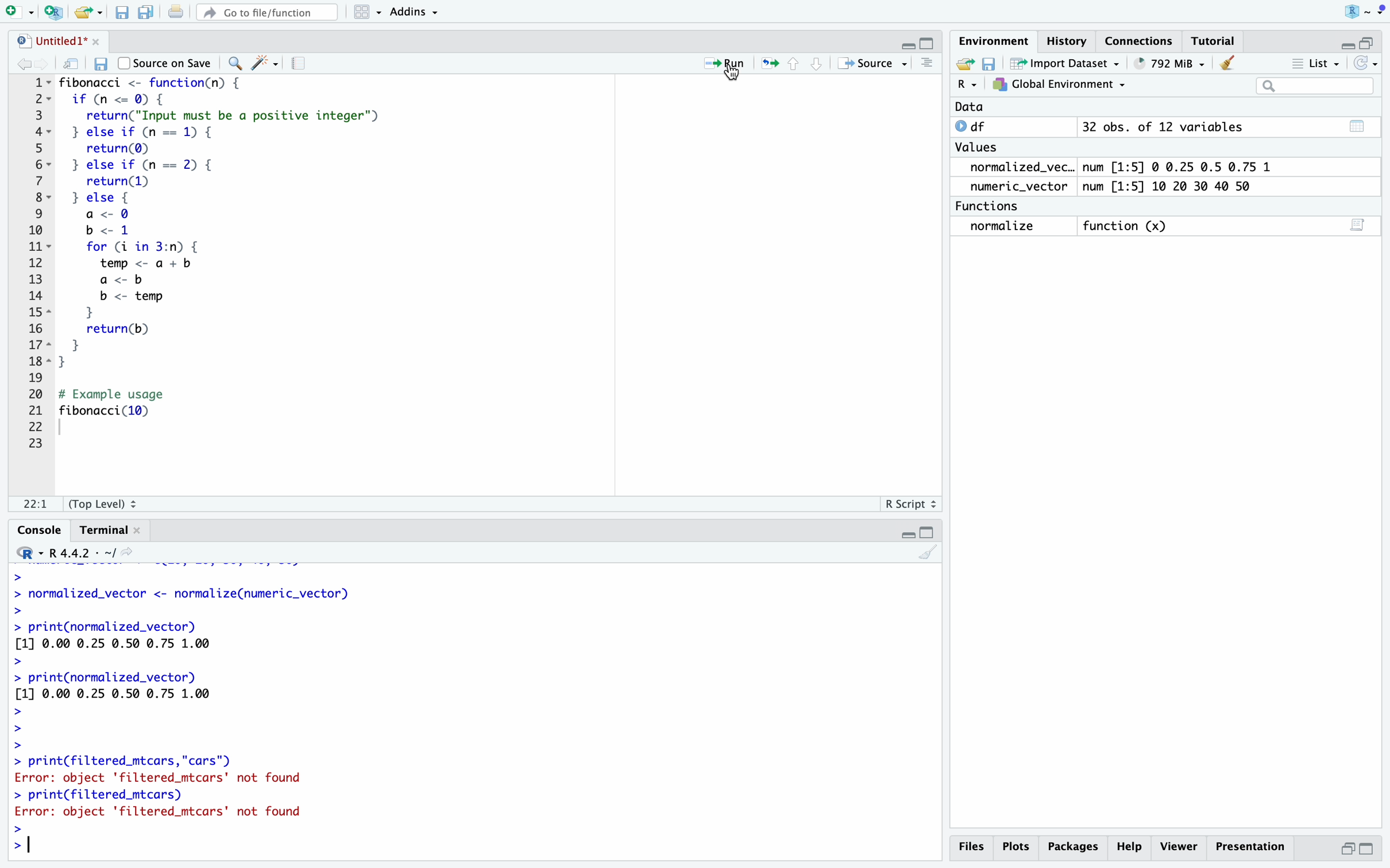  What do you see at coordinates (932, 38) in the screenshot?
I see `maximize` at bounding box center [932, 38].